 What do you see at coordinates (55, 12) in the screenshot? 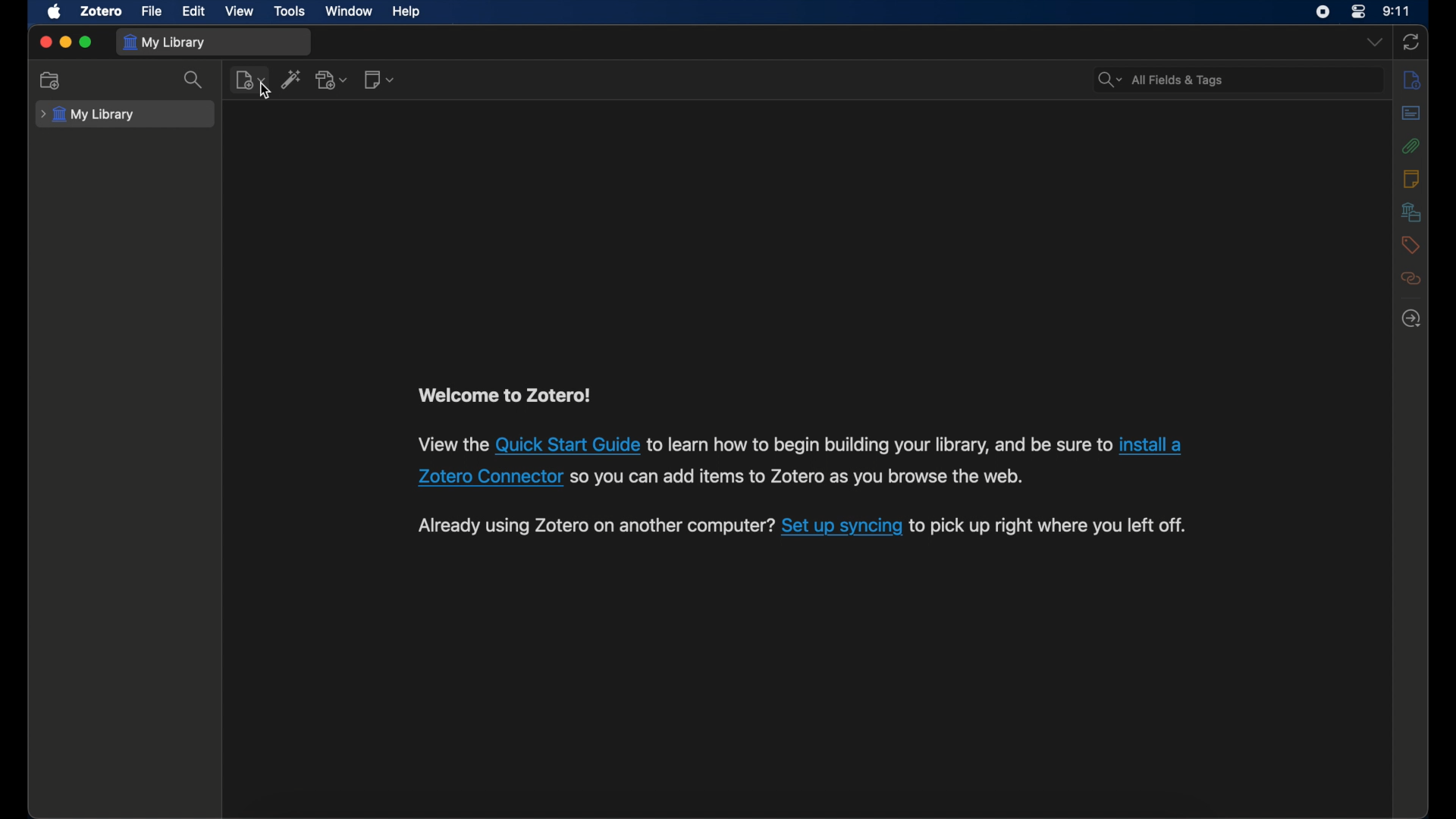
I see `apple icon` at bounding box center [55, 12].